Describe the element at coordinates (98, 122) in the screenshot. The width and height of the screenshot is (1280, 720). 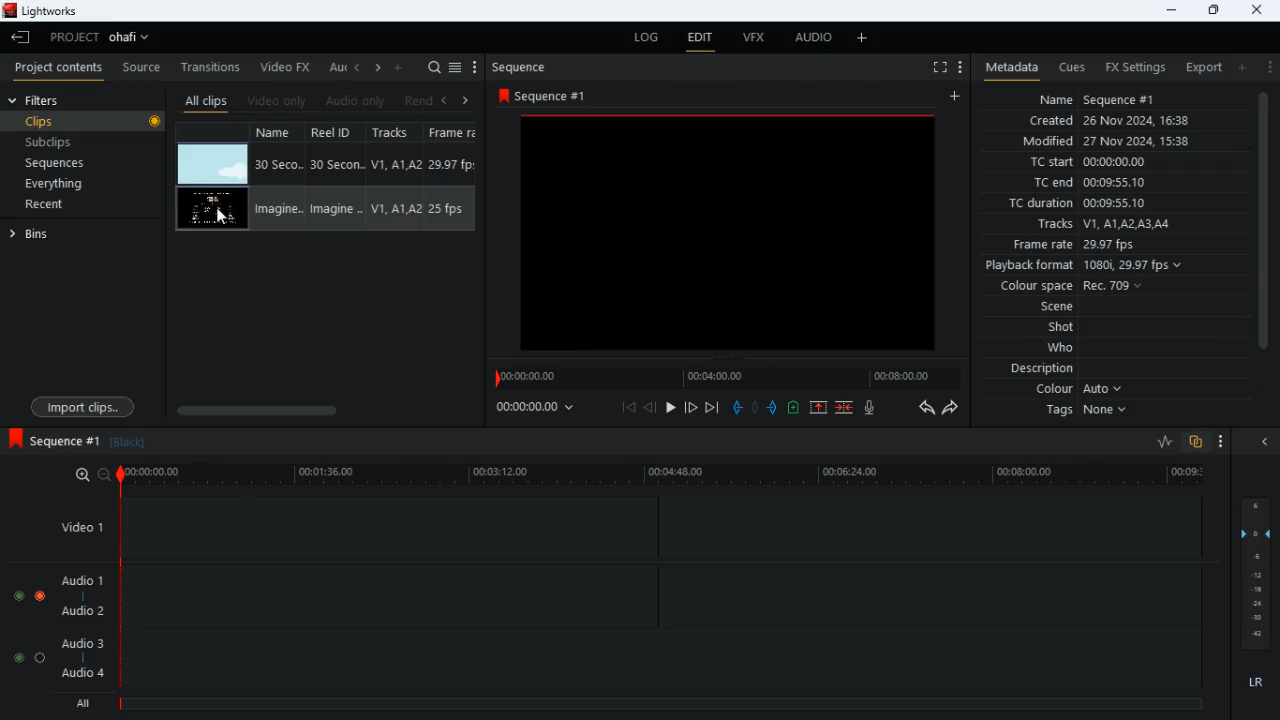
I see `clips` at that location.